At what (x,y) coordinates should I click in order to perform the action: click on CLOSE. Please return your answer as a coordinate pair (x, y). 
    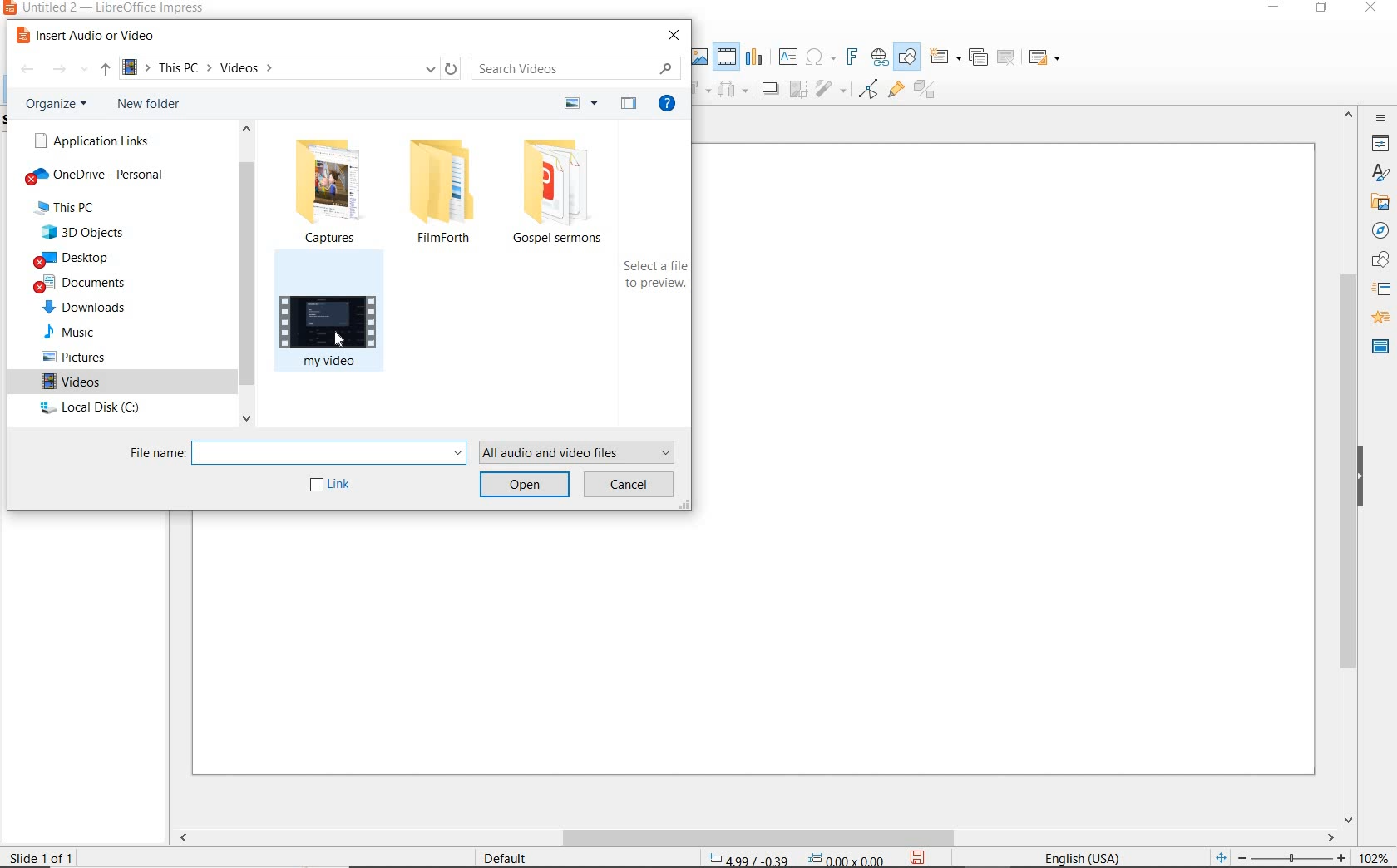
    Looking at the image, I should click on (673, 34).